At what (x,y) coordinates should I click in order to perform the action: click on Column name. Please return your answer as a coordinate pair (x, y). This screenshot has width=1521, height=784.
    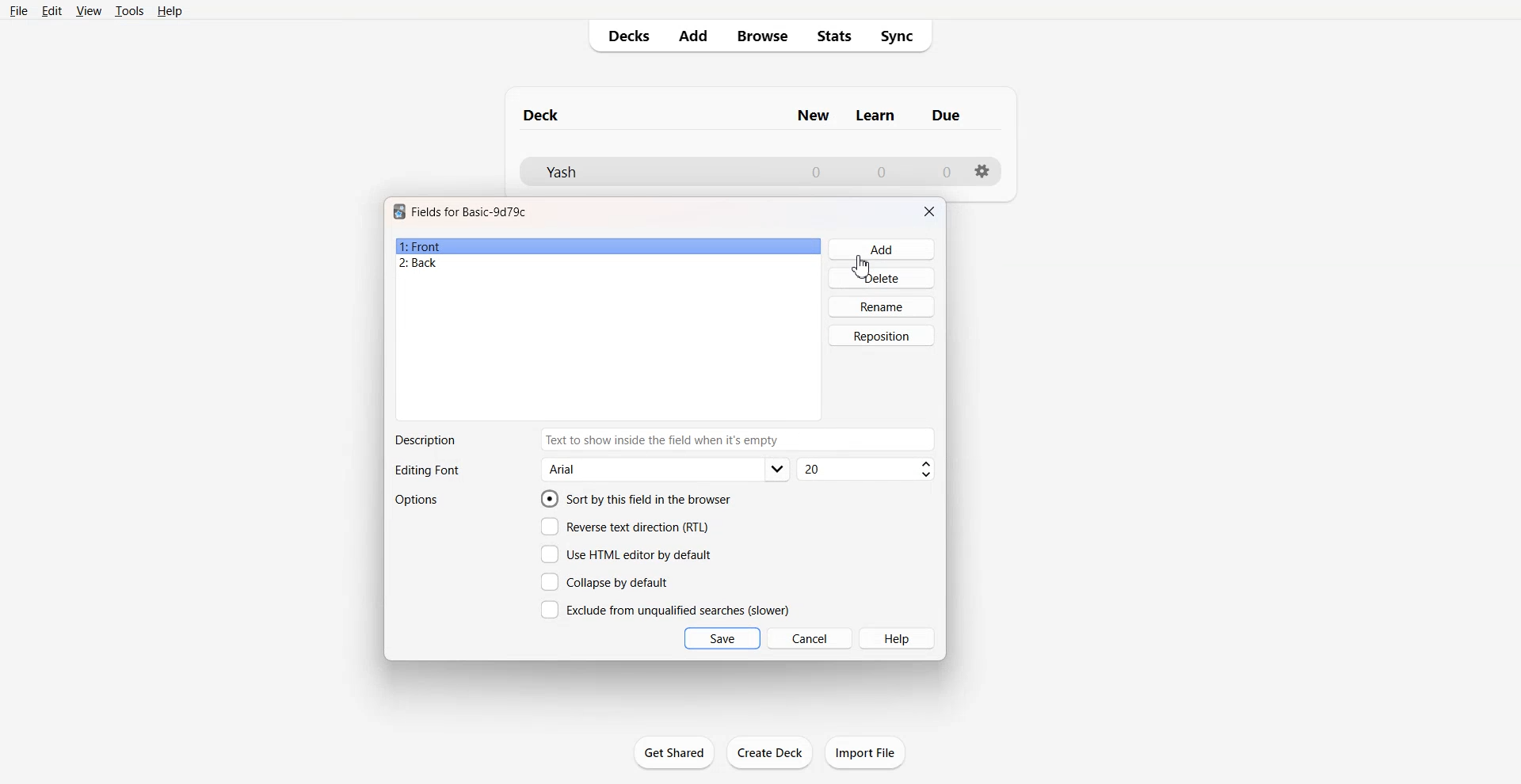
    Looking at the image, I should click on (875, 116).